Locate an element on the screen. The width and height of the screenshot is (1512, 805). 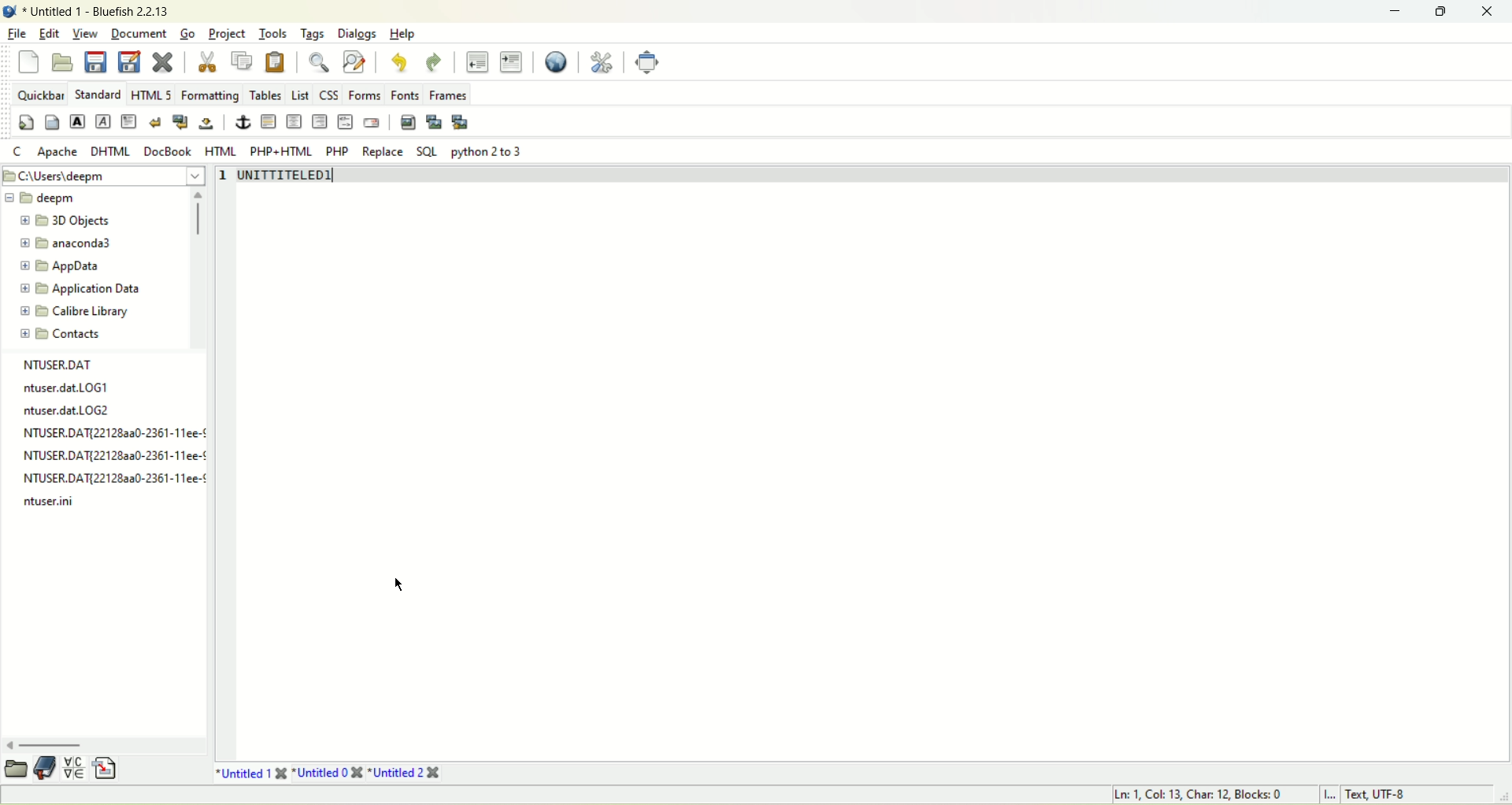
python 2to 3 is located at coordinates (493, 151).